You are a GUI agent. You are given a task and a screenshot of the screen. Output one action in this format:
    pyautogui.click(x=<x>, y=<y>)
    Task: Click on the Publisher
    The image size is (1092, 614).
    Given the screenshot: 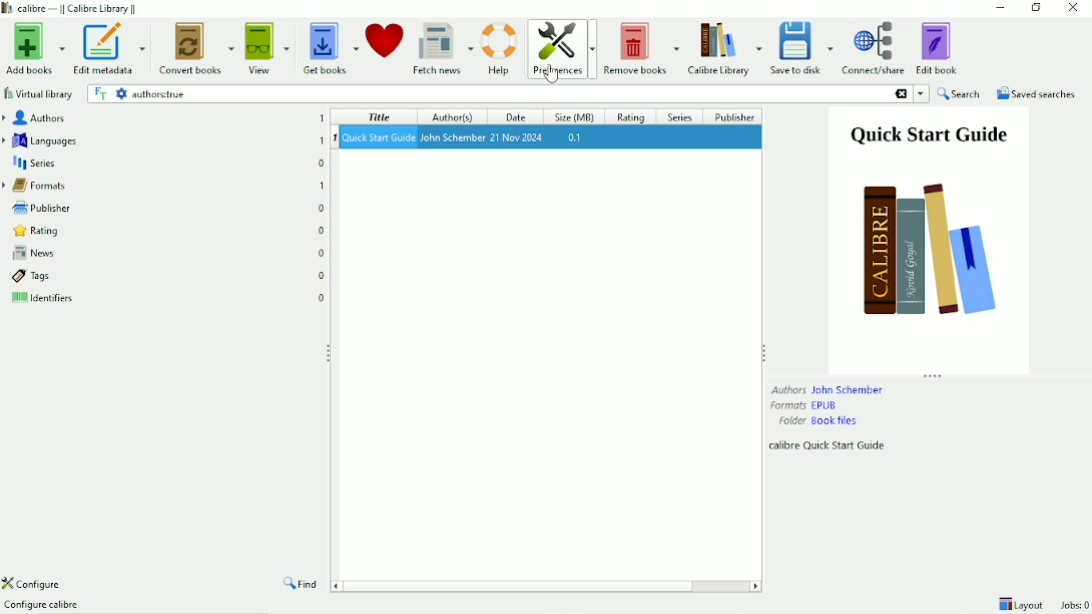 What is the action you would take?
    pyautogui.click(x=165, y=208)
    